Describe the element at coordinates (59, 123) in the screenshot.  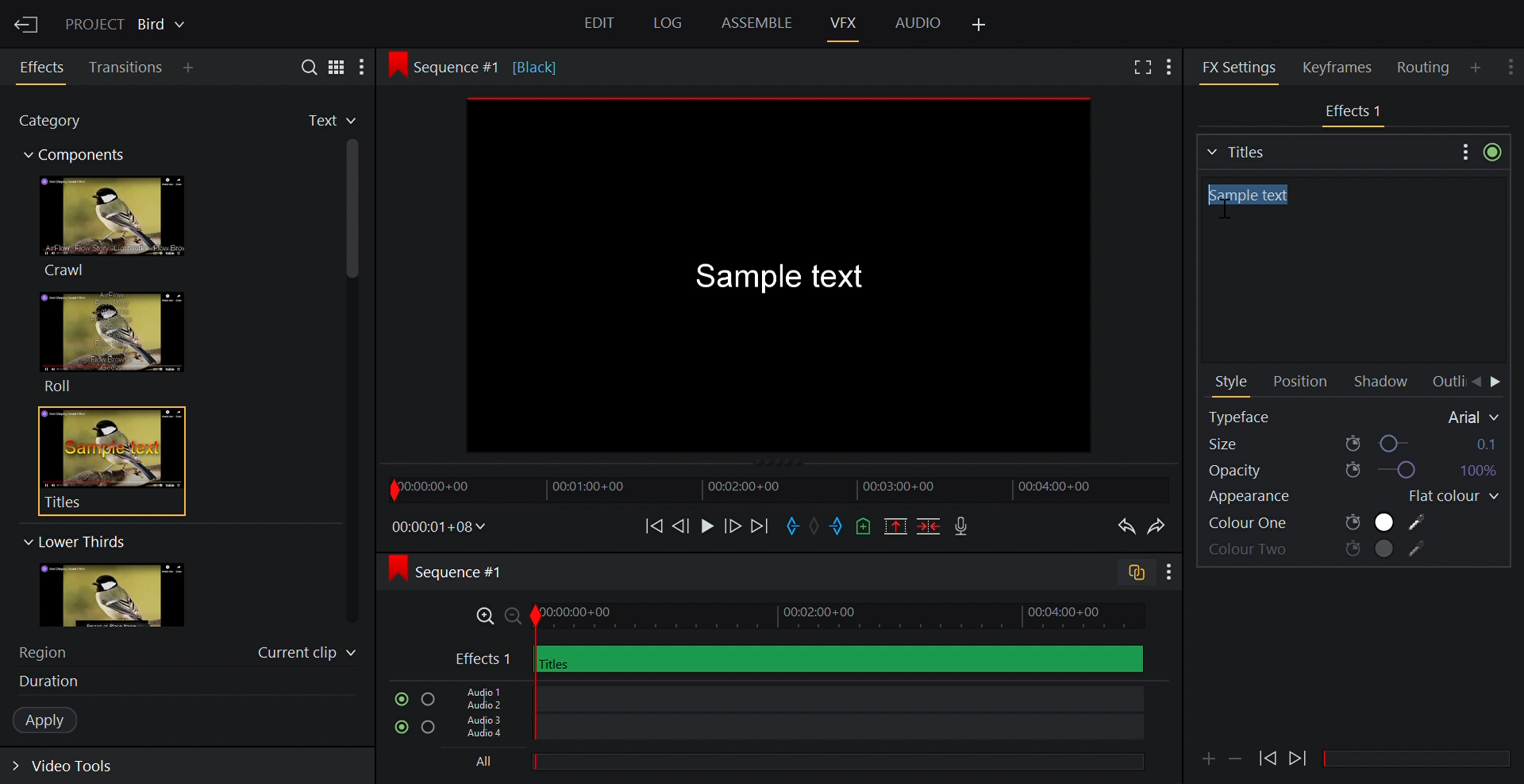
I see `Category` at that location.